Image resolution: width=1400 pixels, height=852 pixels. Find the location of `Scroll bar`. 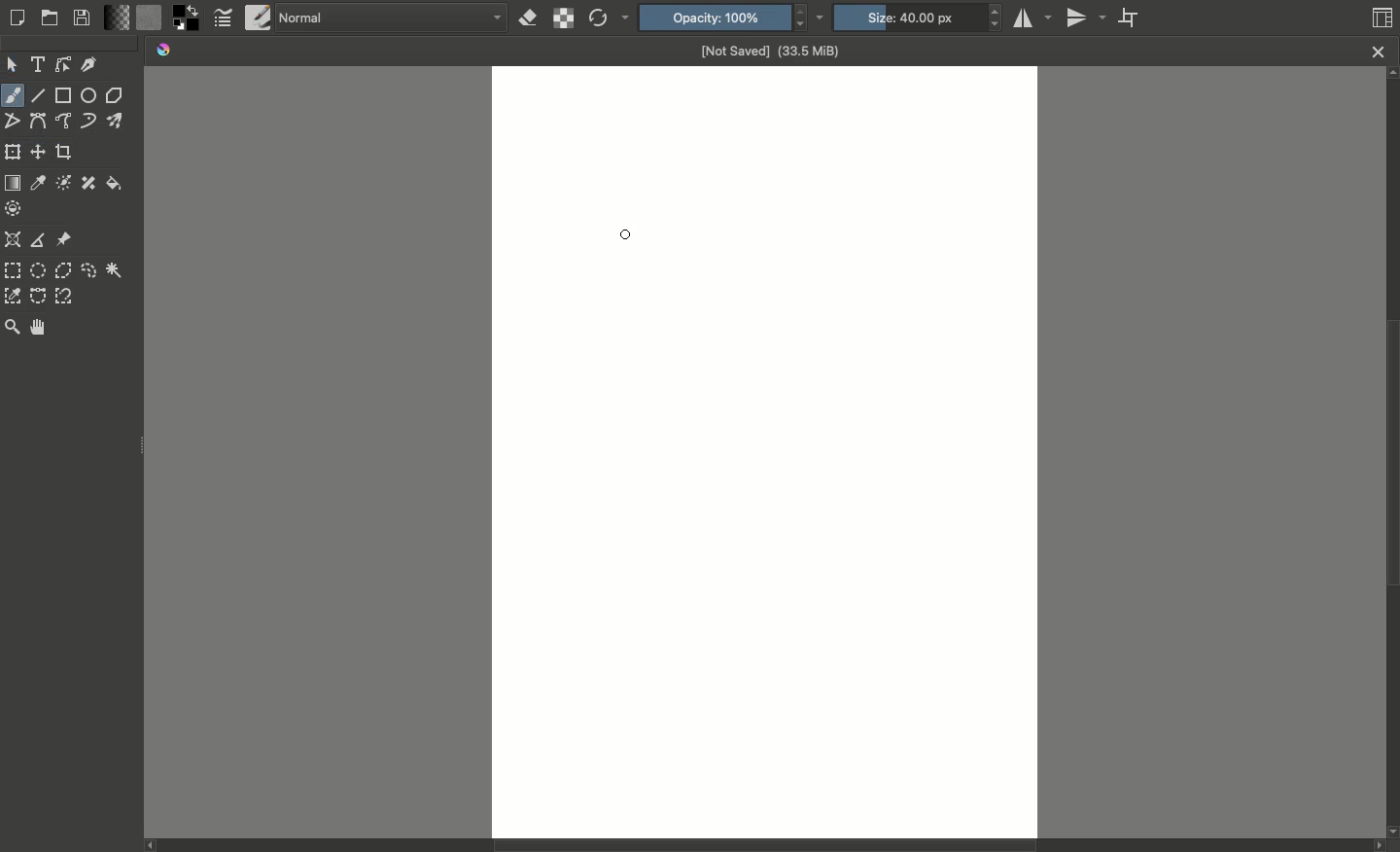

Scroll bar is located at coordinates (1391, 454).